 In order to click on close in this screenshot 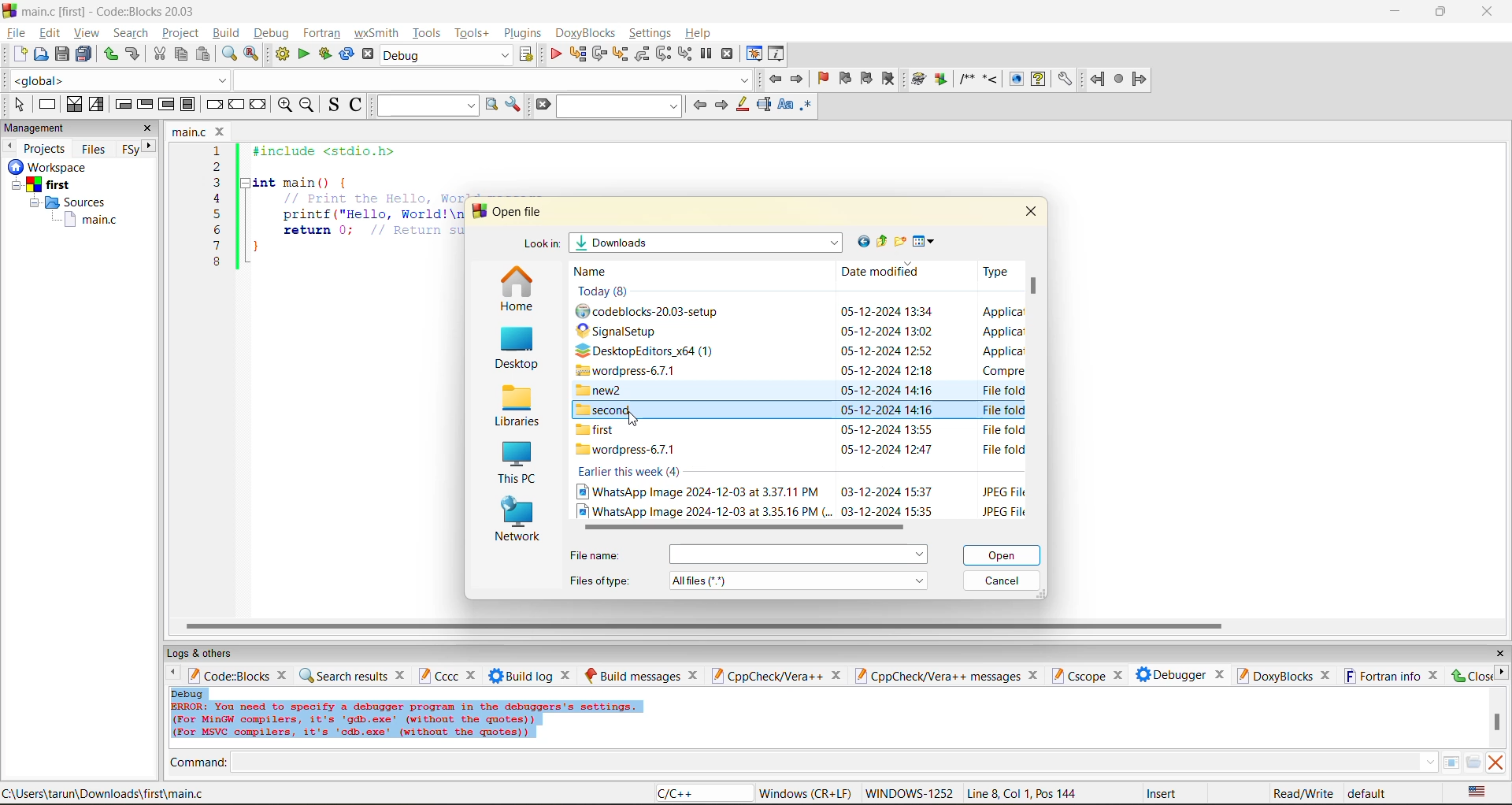, I will do `click(836, 676)`.